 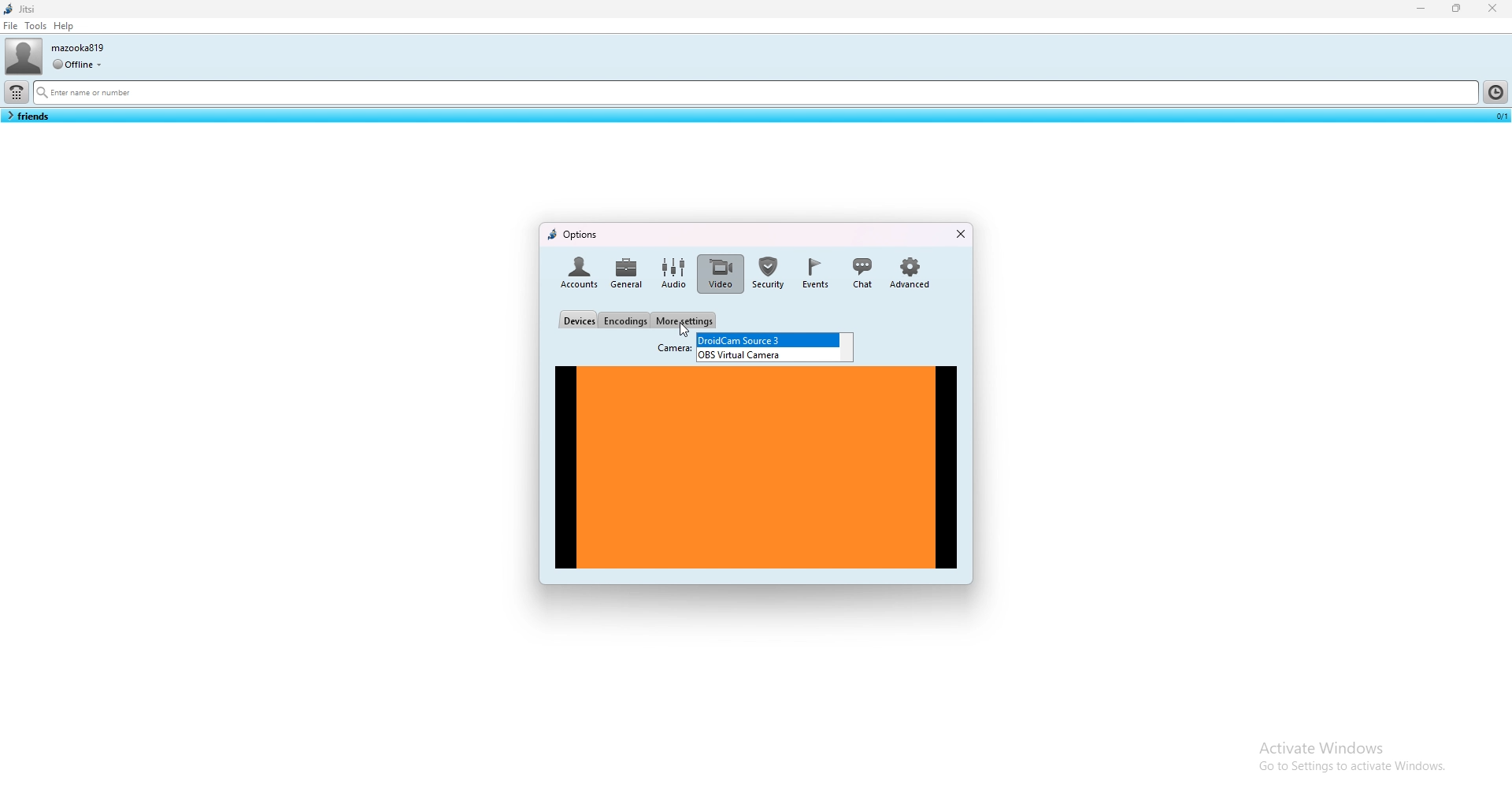 I want to click on options, so click(x=573, y=236).